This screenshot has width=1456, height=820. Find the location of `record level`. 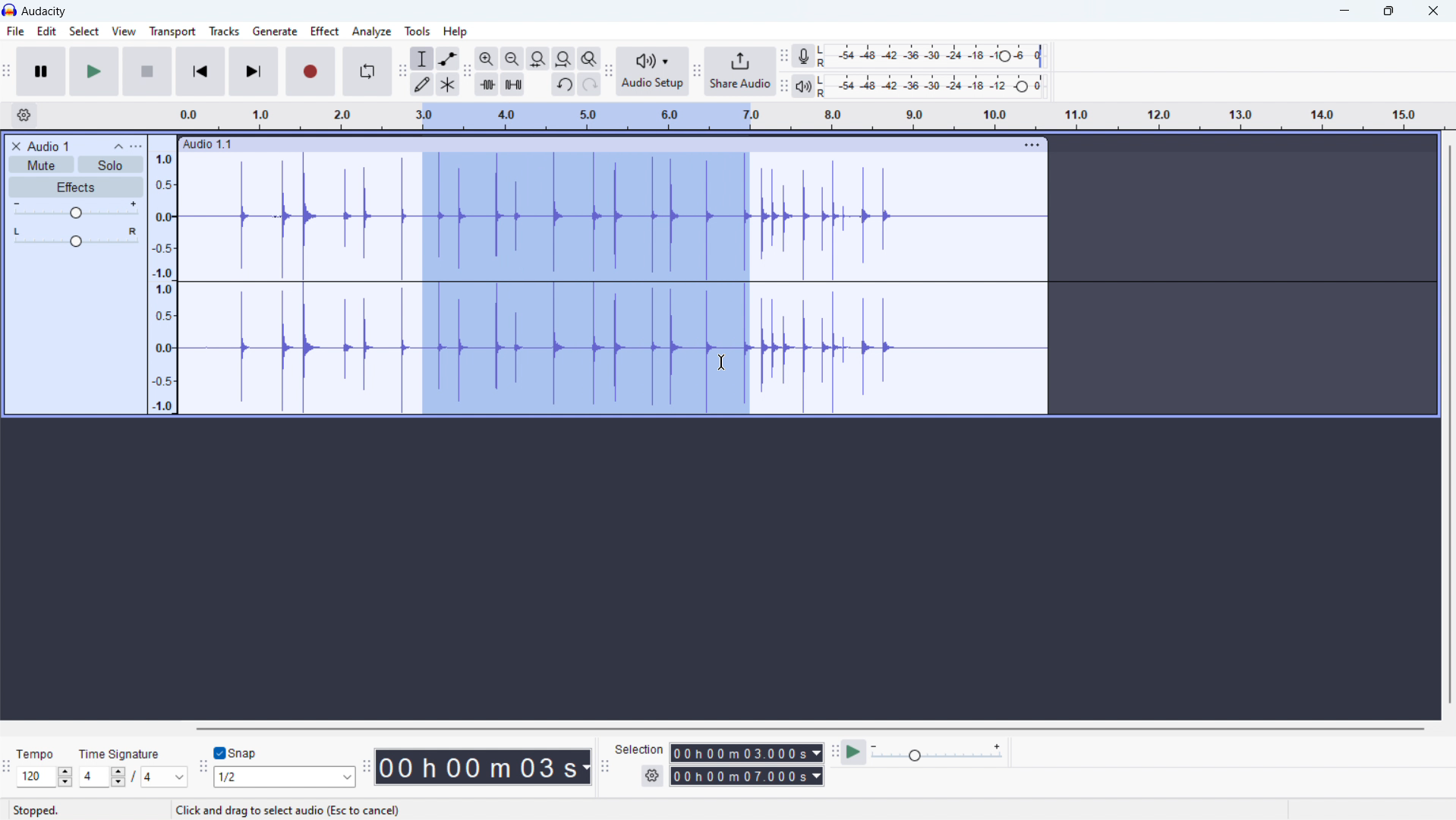

record level is located at coordinates (938, 56).